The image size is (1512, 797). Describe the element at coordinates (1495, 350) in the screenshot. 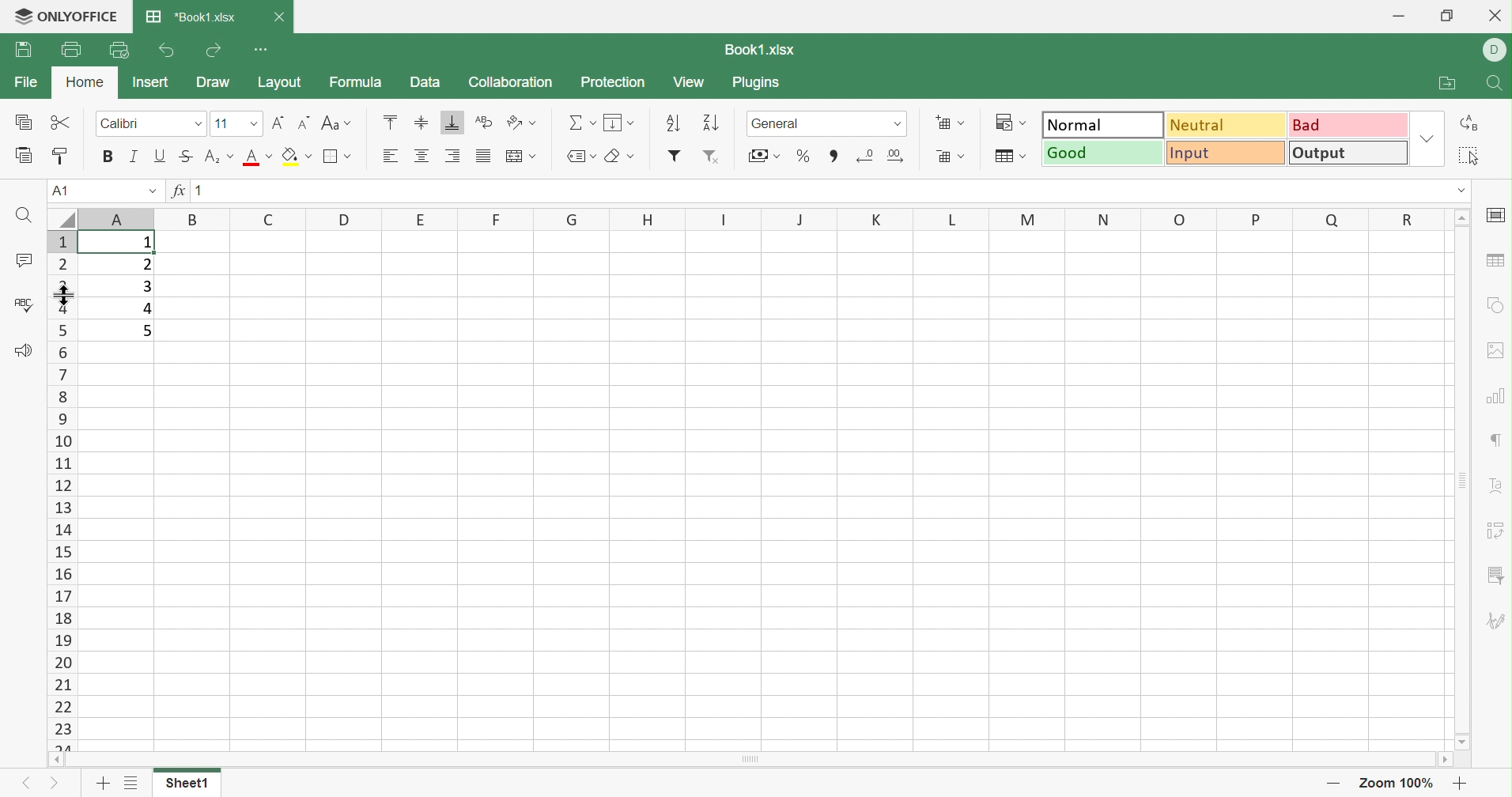

I see `Image settings` at that location.